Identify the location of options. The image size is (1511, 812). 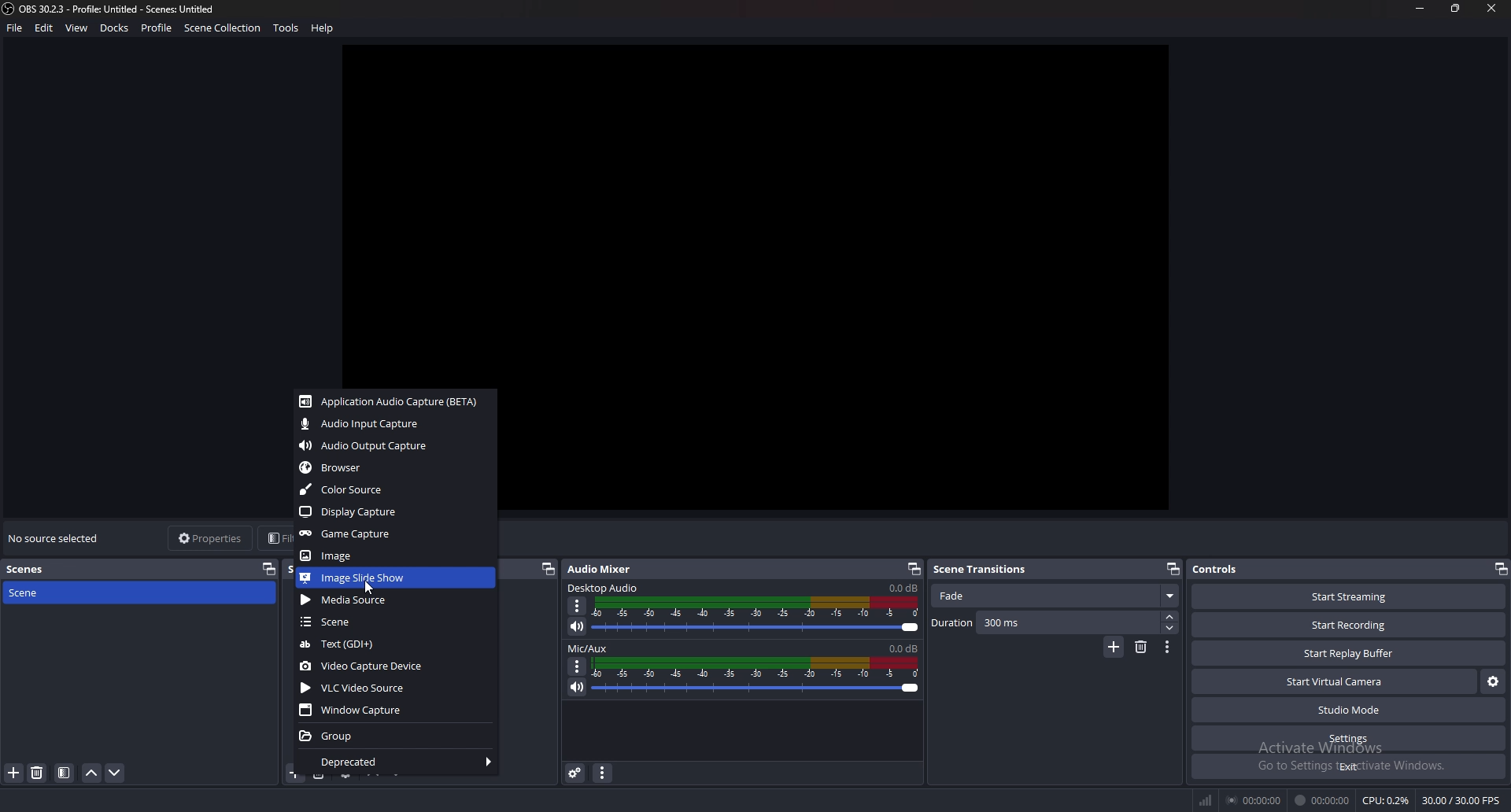
(578, 666).